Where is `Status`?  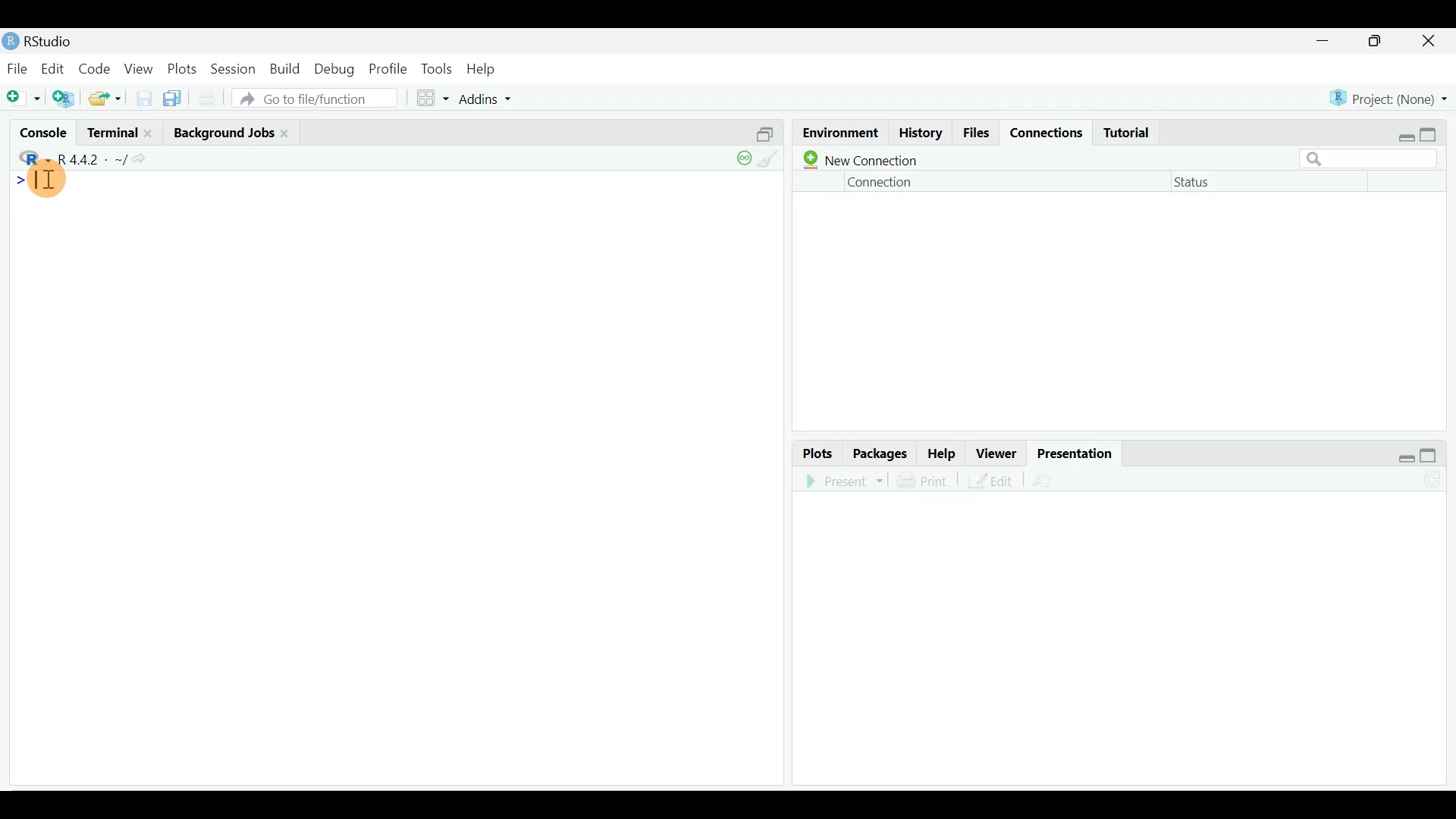 Status is located at coordinates (1200, 181).